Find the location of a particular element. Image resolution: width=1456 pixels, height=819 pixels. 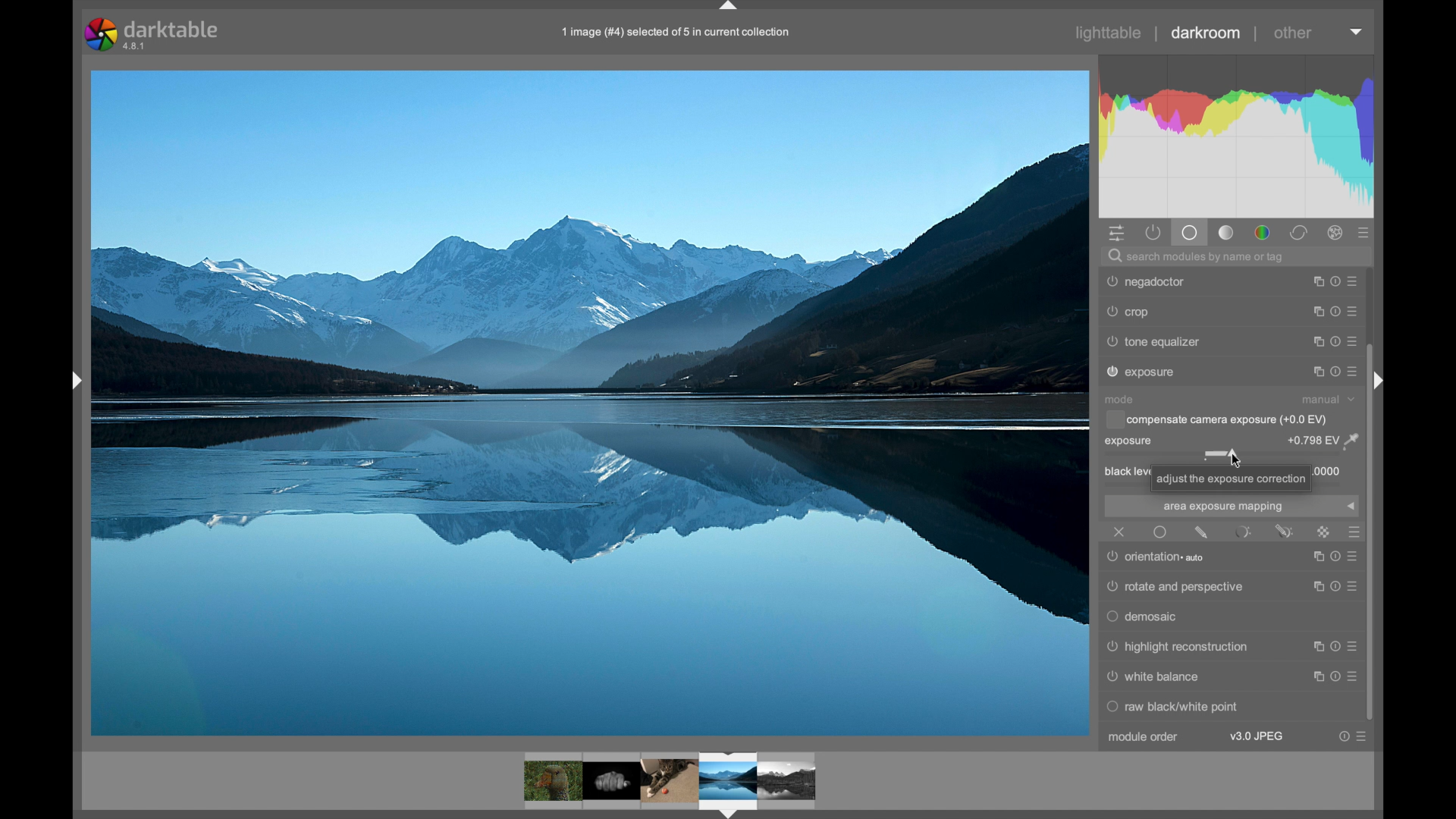

more options is located at coordinates (1336, 281).